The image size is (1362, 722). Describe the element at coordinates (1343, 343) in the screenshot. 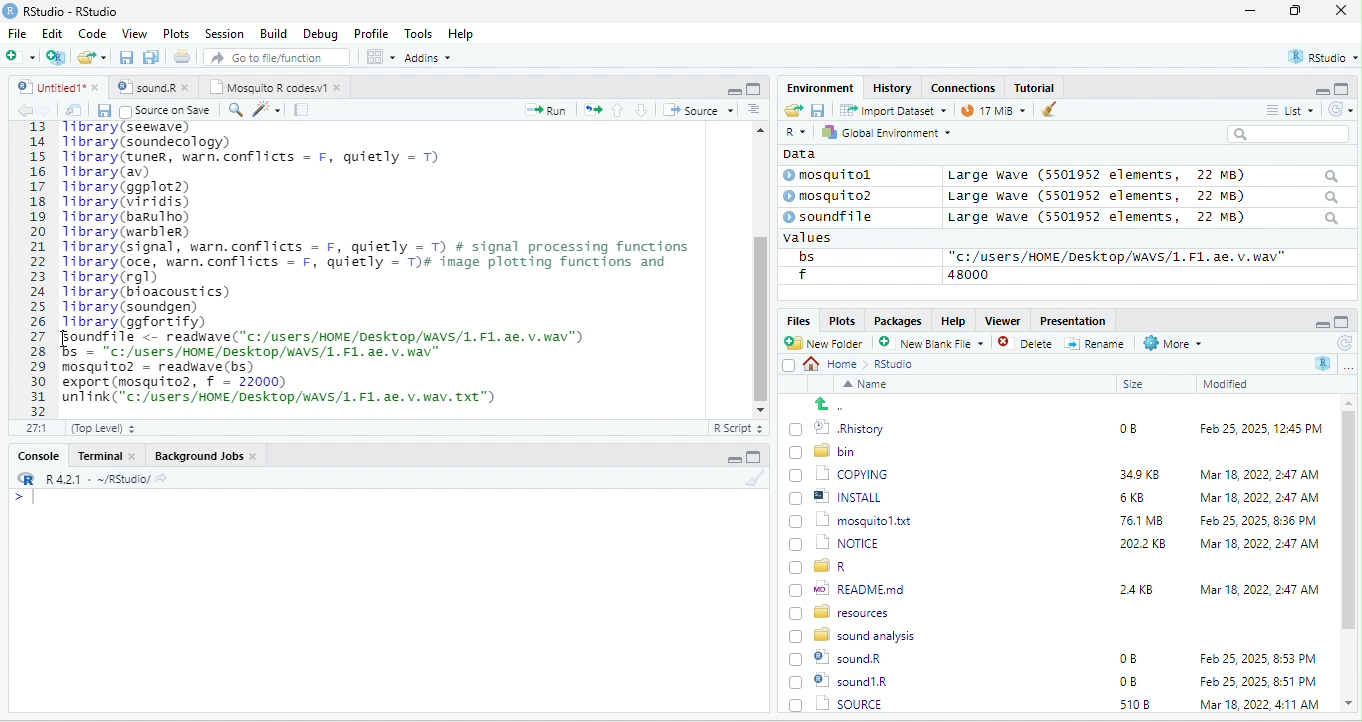

I see `refresh` at that location.